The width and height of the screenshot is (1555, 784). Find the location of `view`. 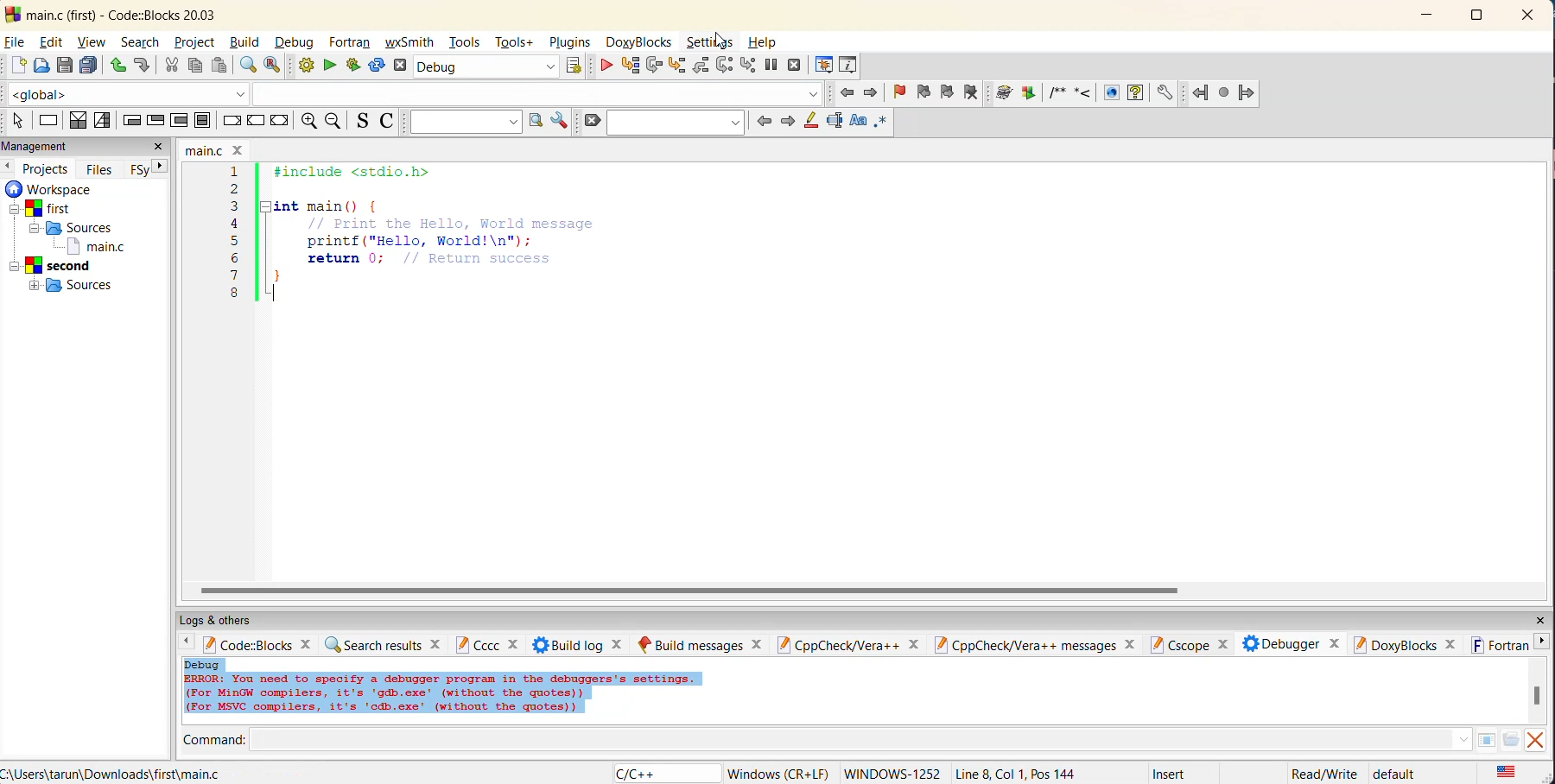

view is located at coordinates (91, 41).